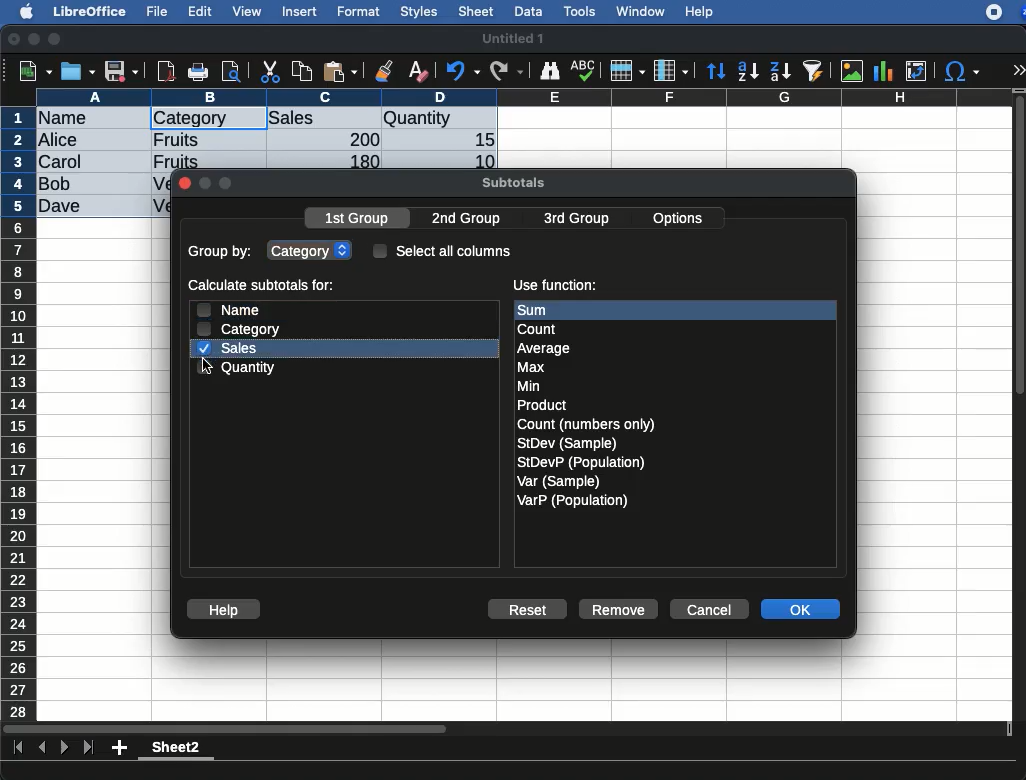 This screenshot has height=780, width=1026. What do you see at coordinates (781, 72) in the screenshot?
I see `descending` at bounding box center [781, 72].